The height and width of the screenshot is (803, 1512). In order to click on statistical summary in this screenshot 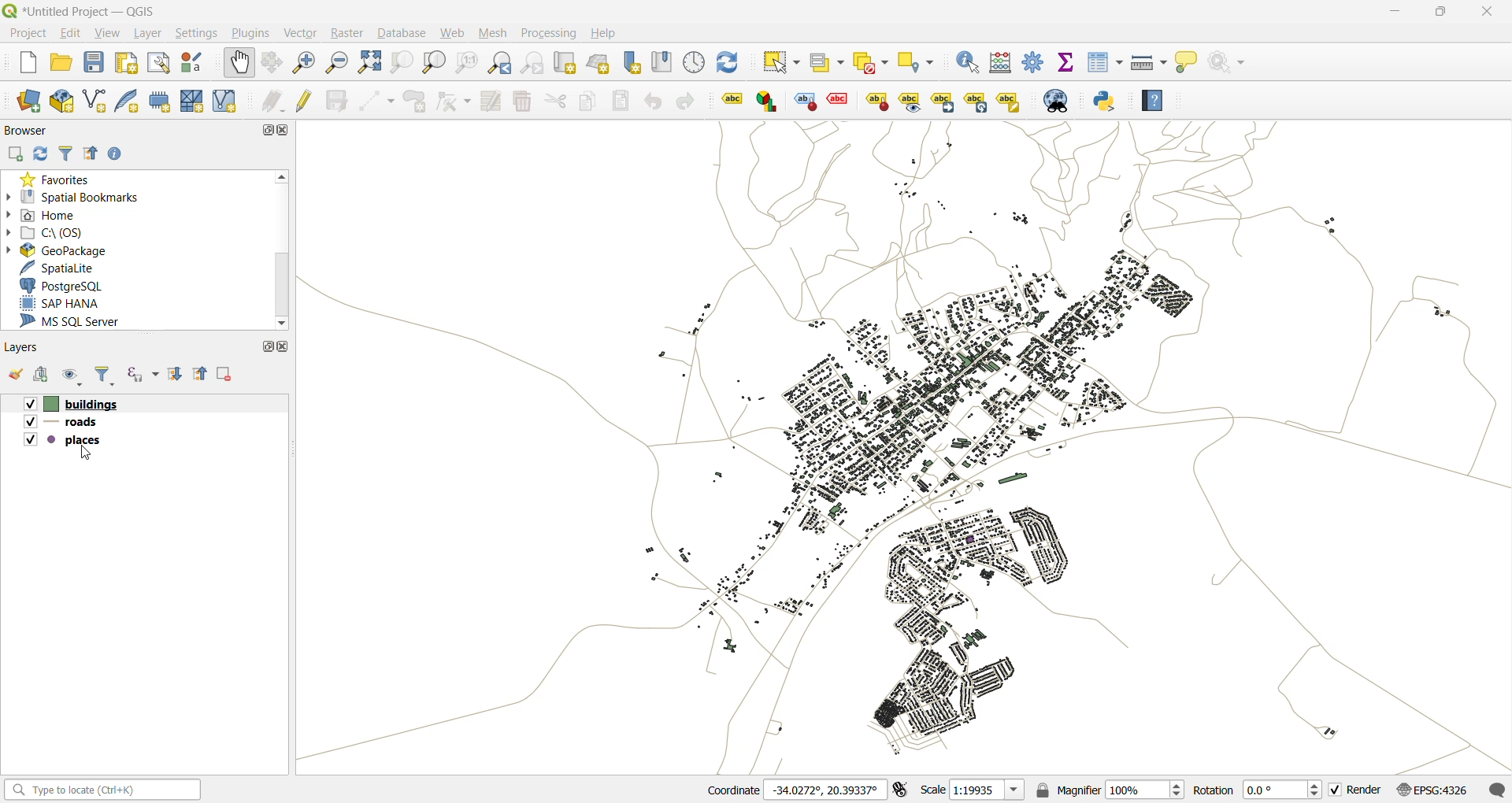, I will do `click(1065, 63)`.